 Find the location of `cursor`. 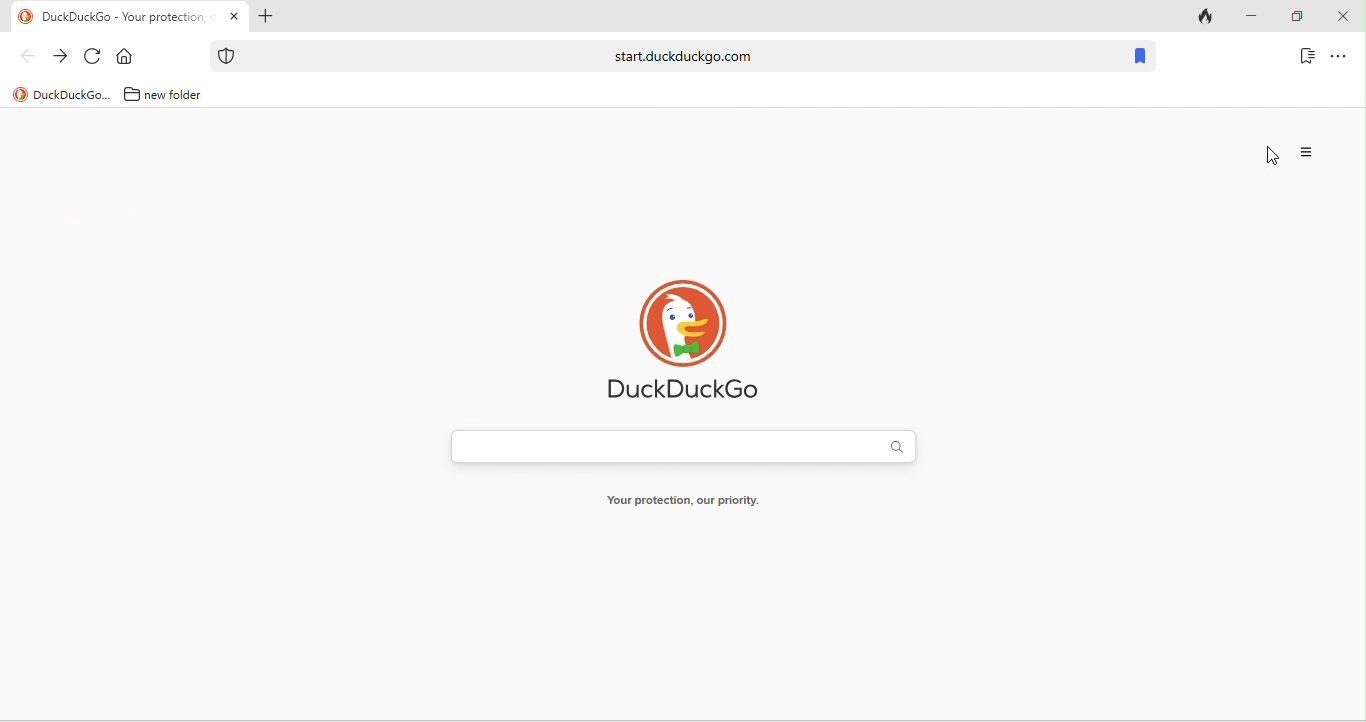

cursor is located at coordinates (1270, 157).